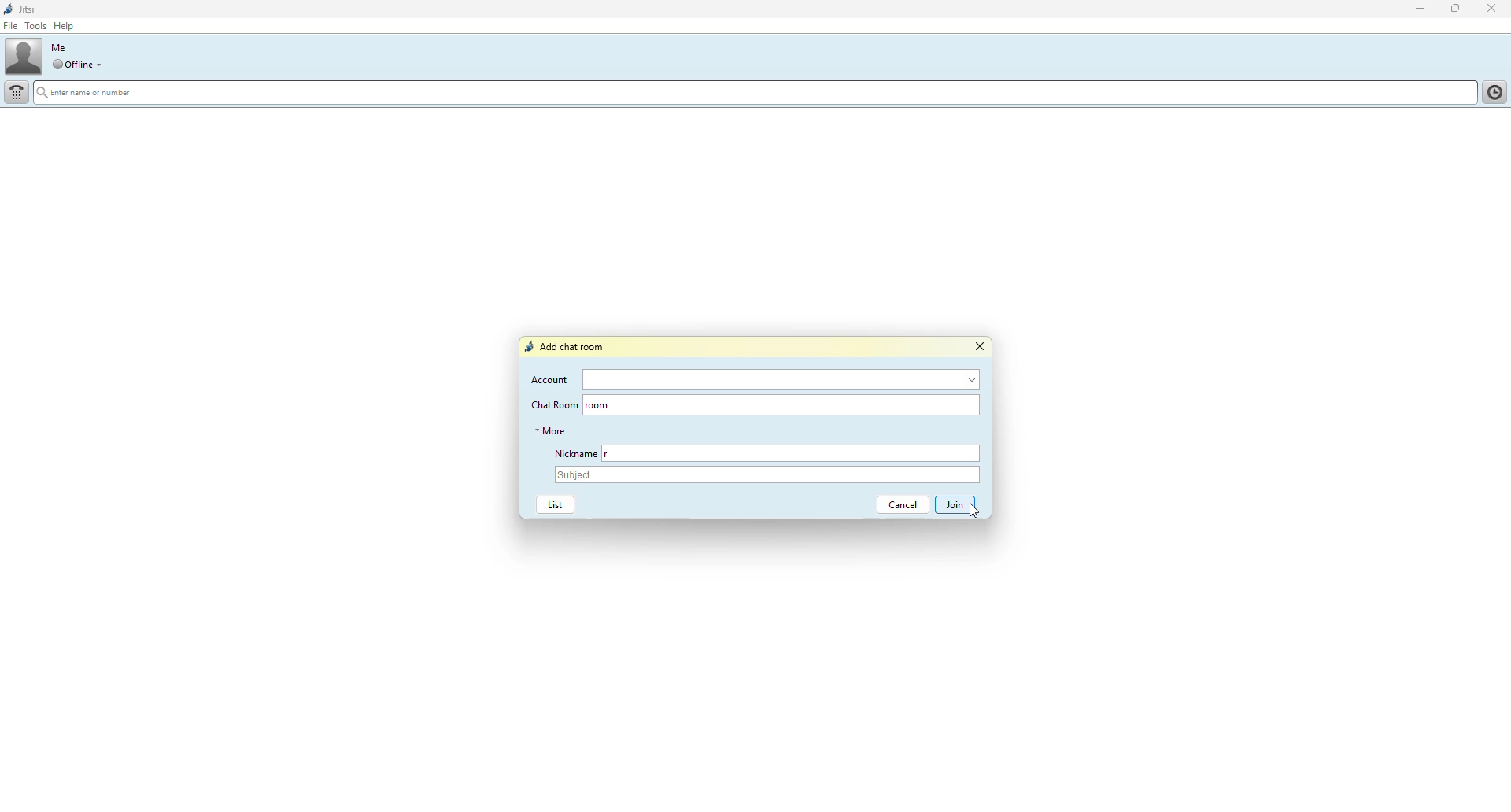 This screenshot has width=1511, height=812. Describe the element at coordinates (24, 57) in the screenshot. I see `profile` at that location.